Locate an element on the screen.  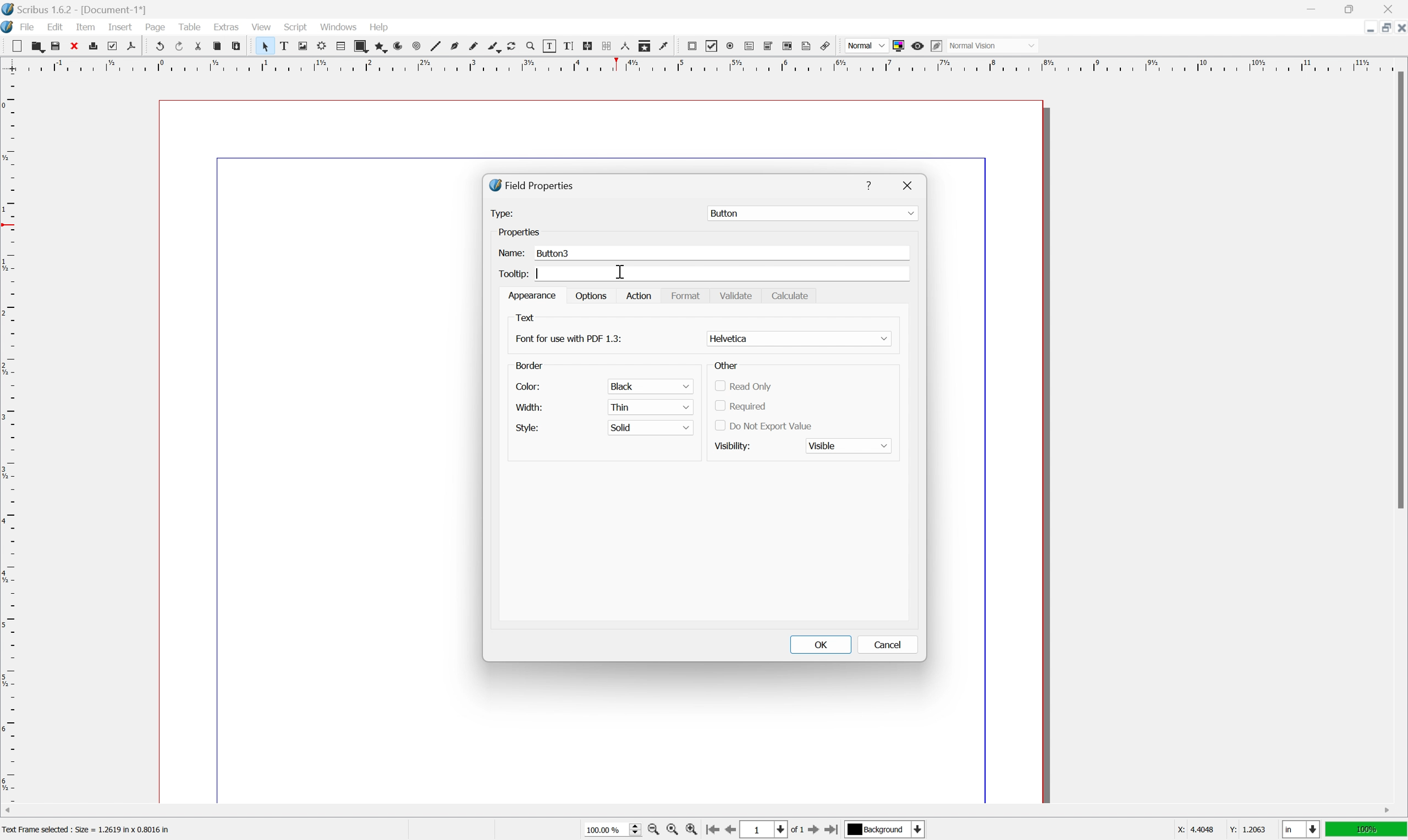
polygon is located at coordinates (379, 47).